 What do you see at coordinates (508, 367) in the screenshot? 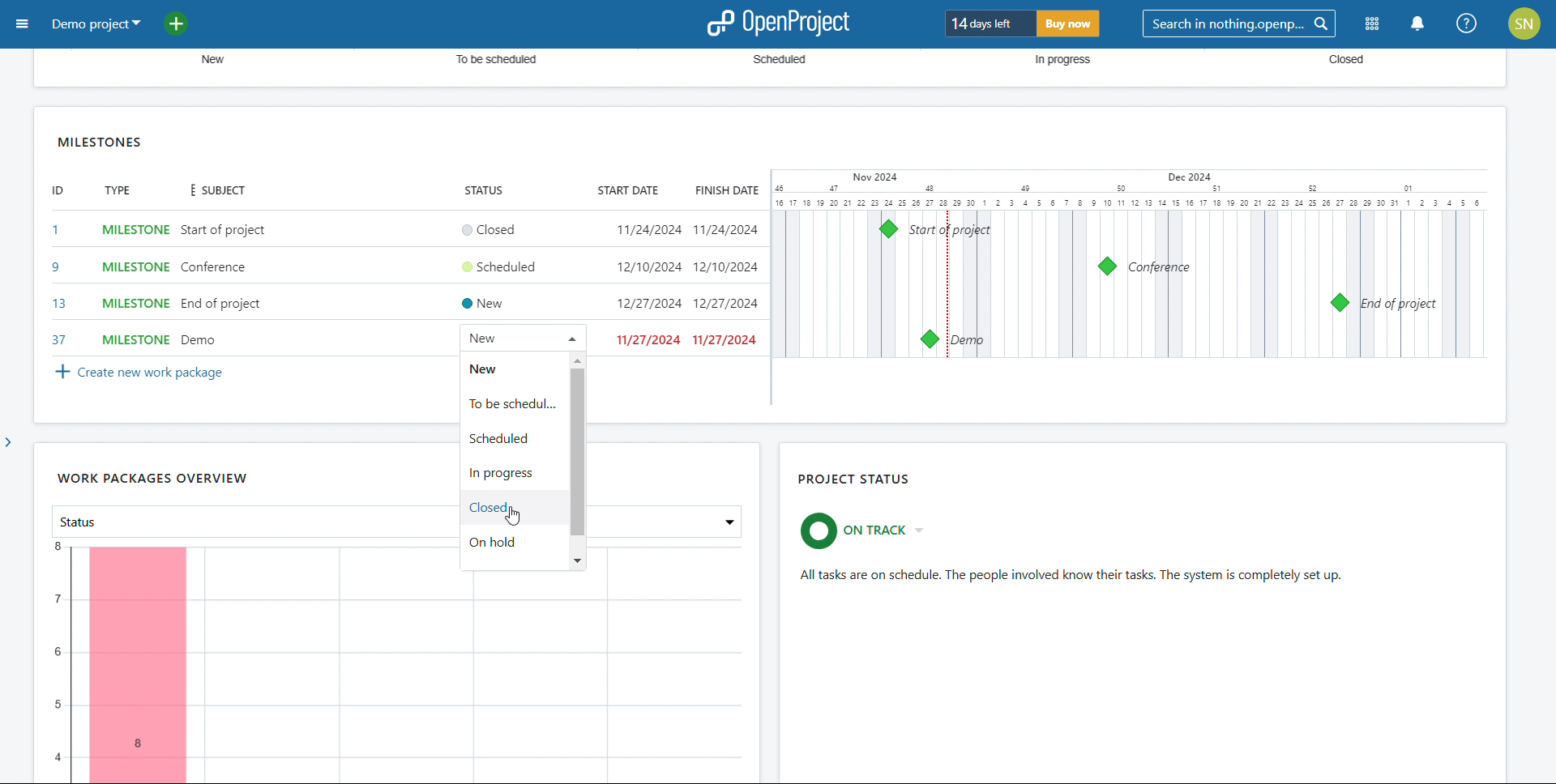
I see `new` at bounding box center [508, 367].